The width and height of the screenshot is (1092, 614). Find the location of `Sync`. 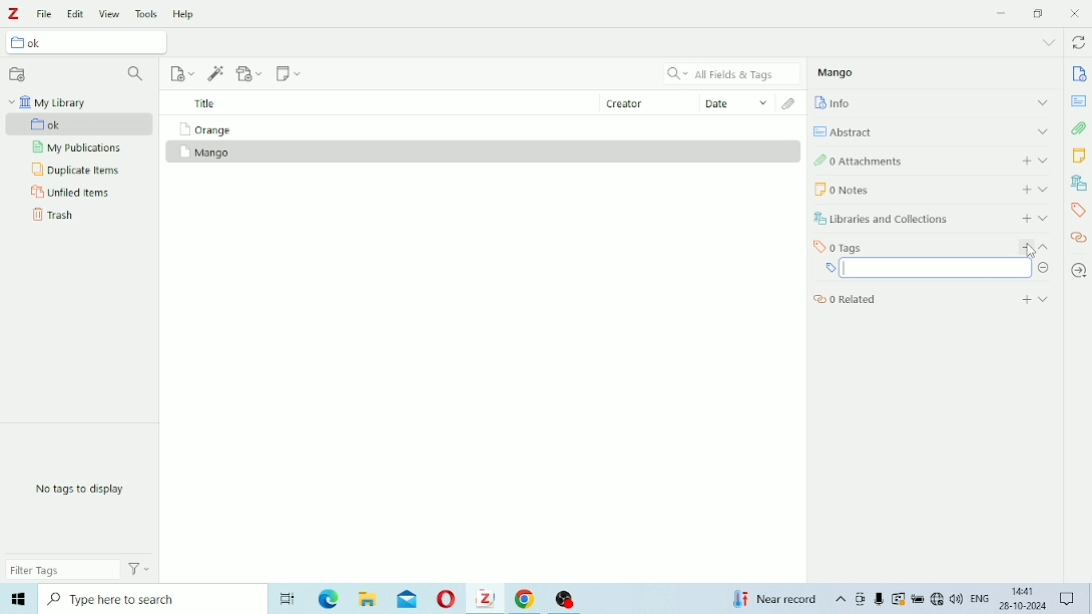

Sync is located at coordinates (1080, 43).